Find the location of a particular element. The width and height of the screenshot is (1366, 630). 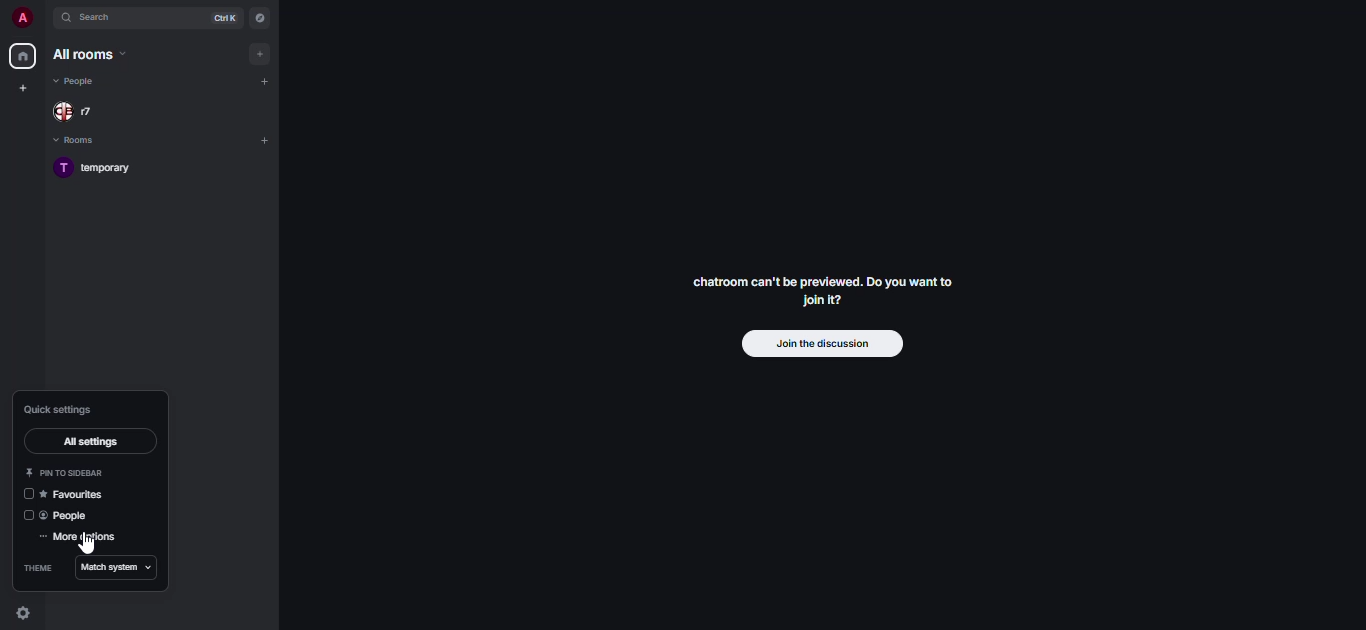

people is located at coordinates (69, 516).